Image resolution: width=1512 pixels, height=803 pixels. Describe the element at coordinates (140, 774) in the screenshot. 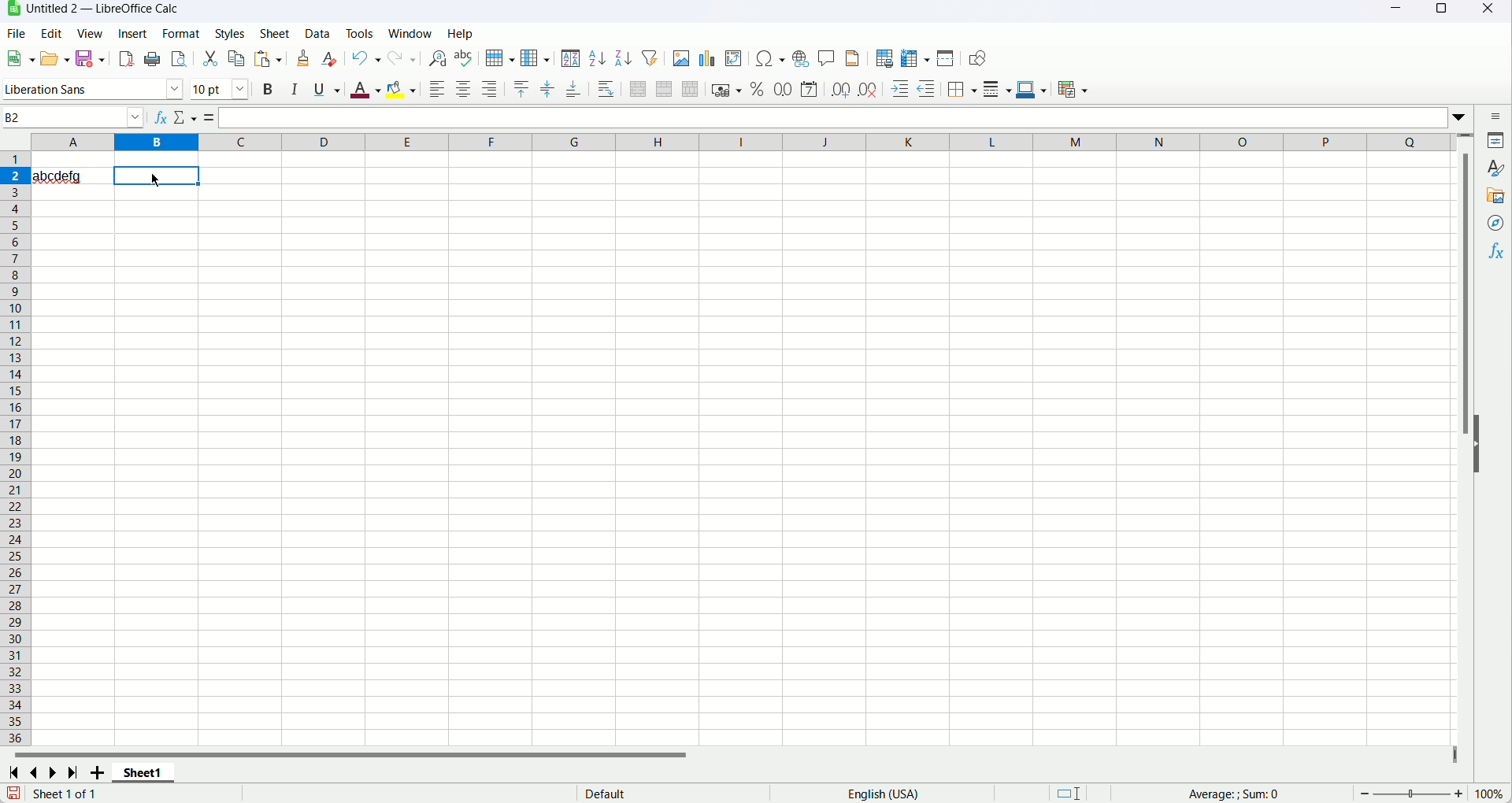

I see `sheet1` at that location.